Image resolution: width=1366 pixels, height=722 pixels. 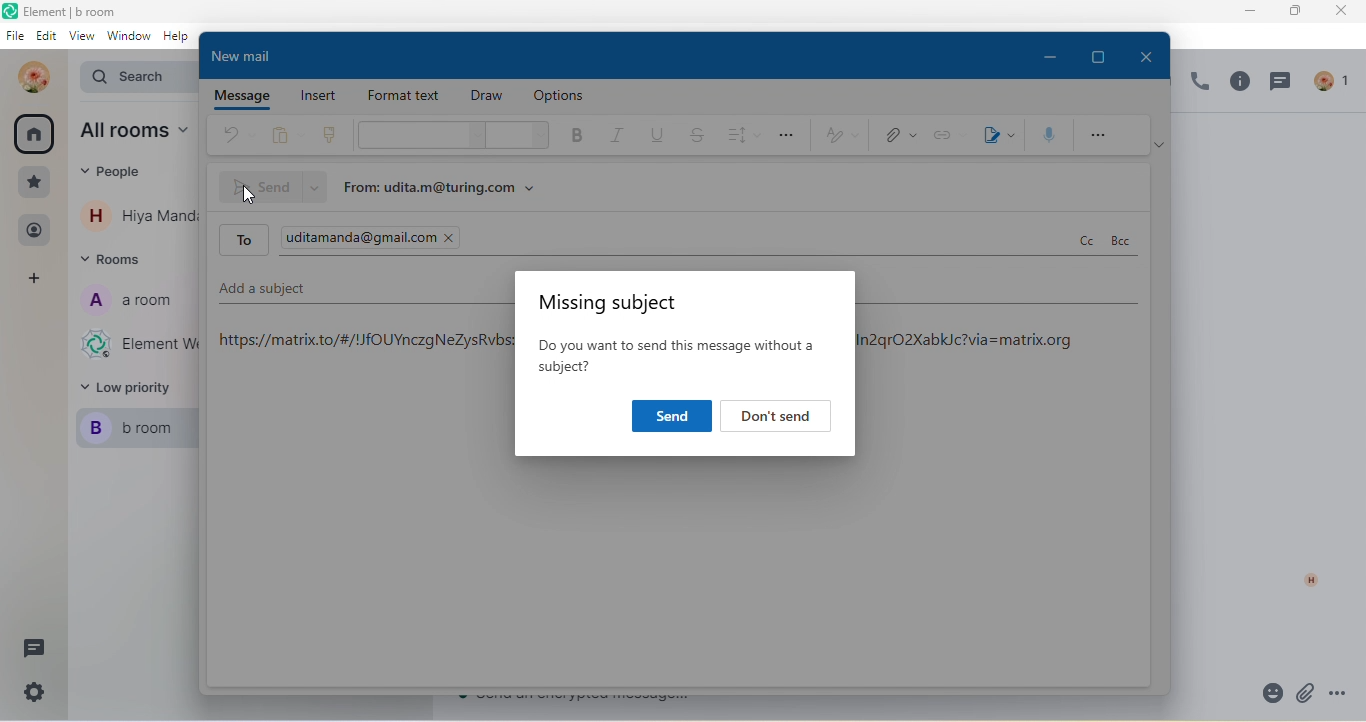 I want to click on file, so click(x=14, y=38).